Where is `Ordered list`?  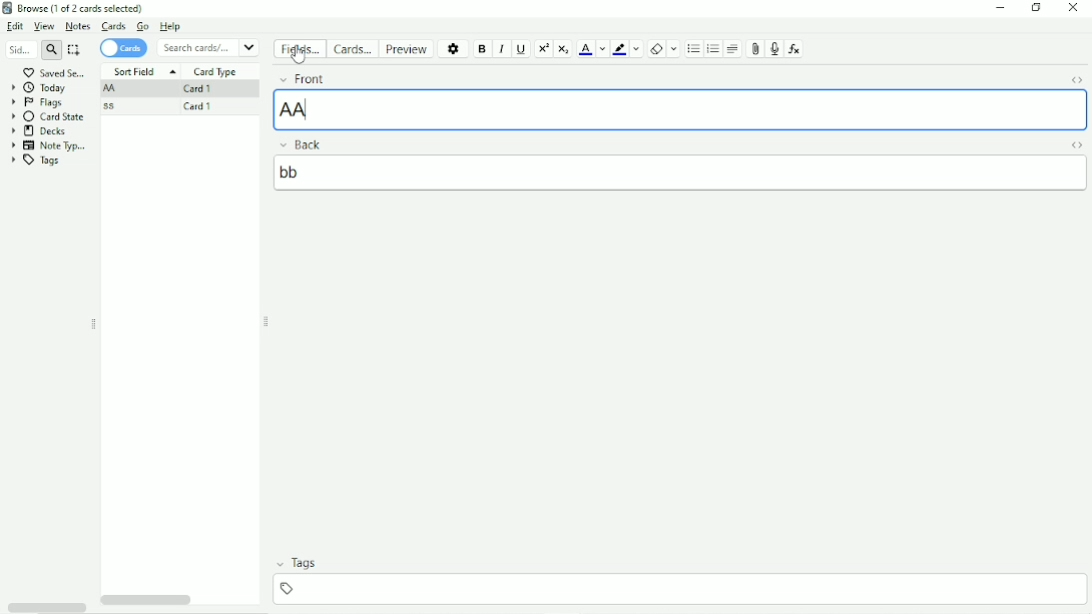
Ordered list is located at coordinates (714, 49).